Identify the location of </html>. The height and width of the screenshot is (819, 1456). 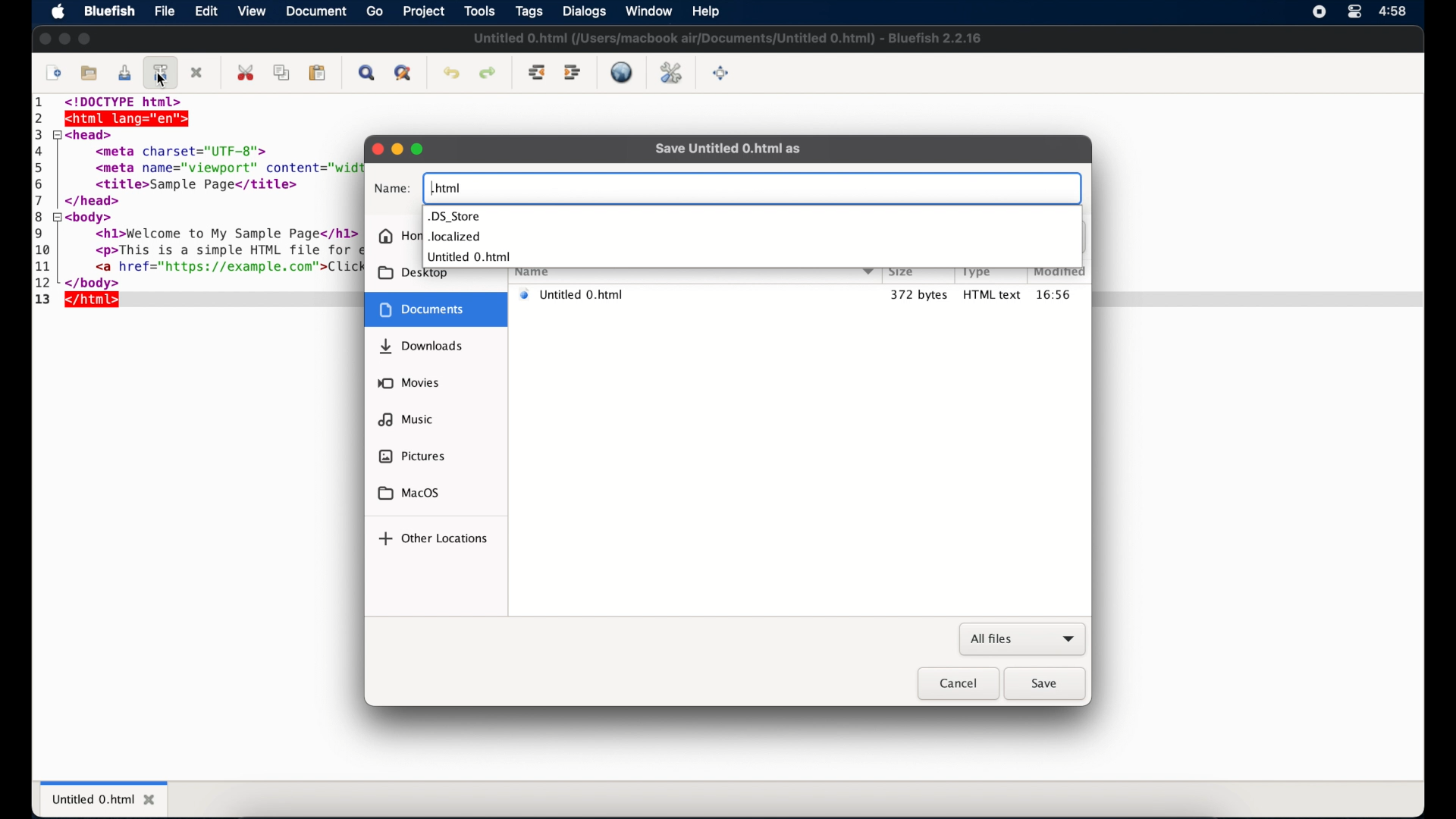
(94, 301).